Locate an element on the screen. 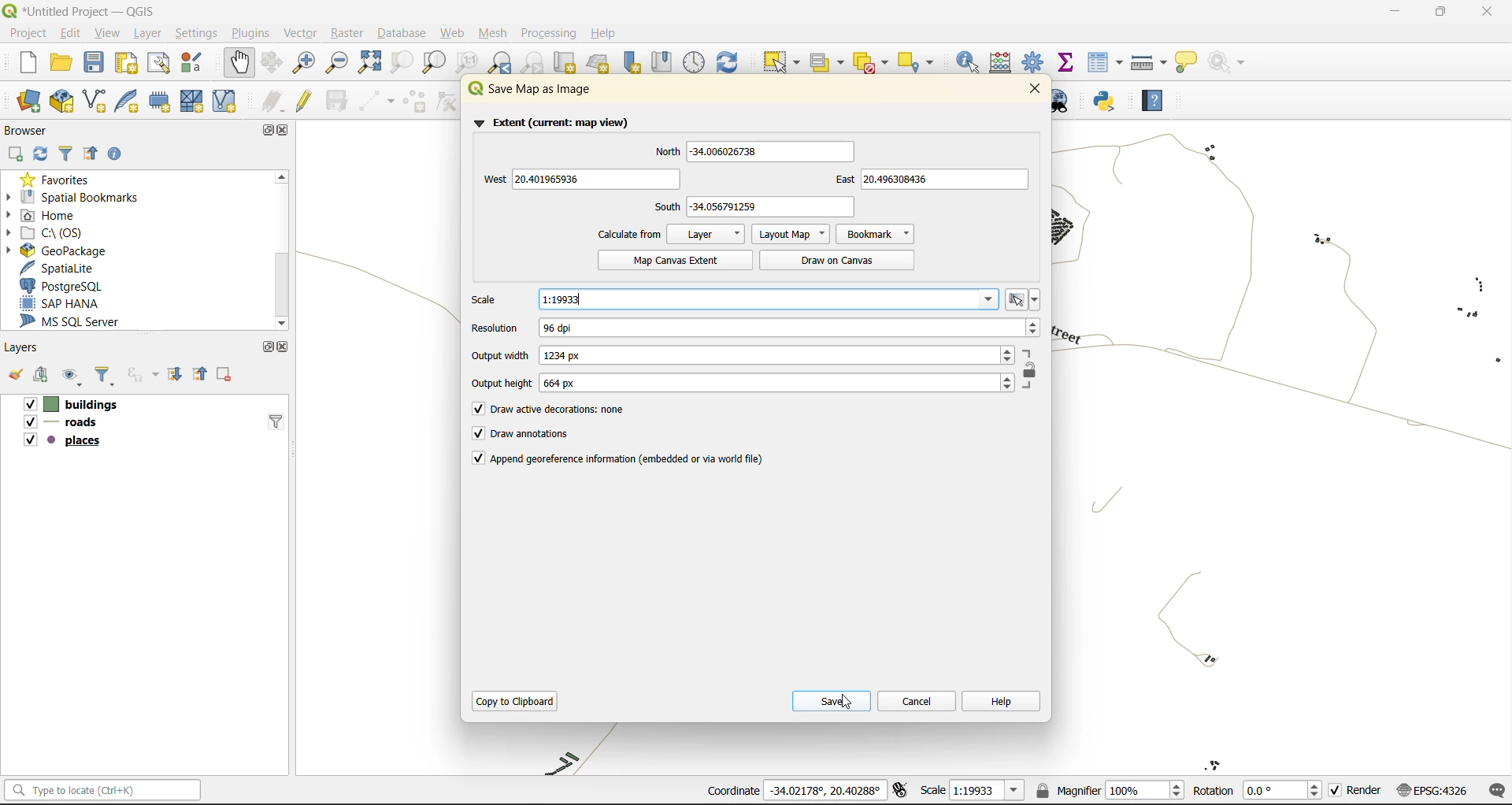 The width and height of the screenshot is (1512, 805). output height is located at coordinates (747, 384).